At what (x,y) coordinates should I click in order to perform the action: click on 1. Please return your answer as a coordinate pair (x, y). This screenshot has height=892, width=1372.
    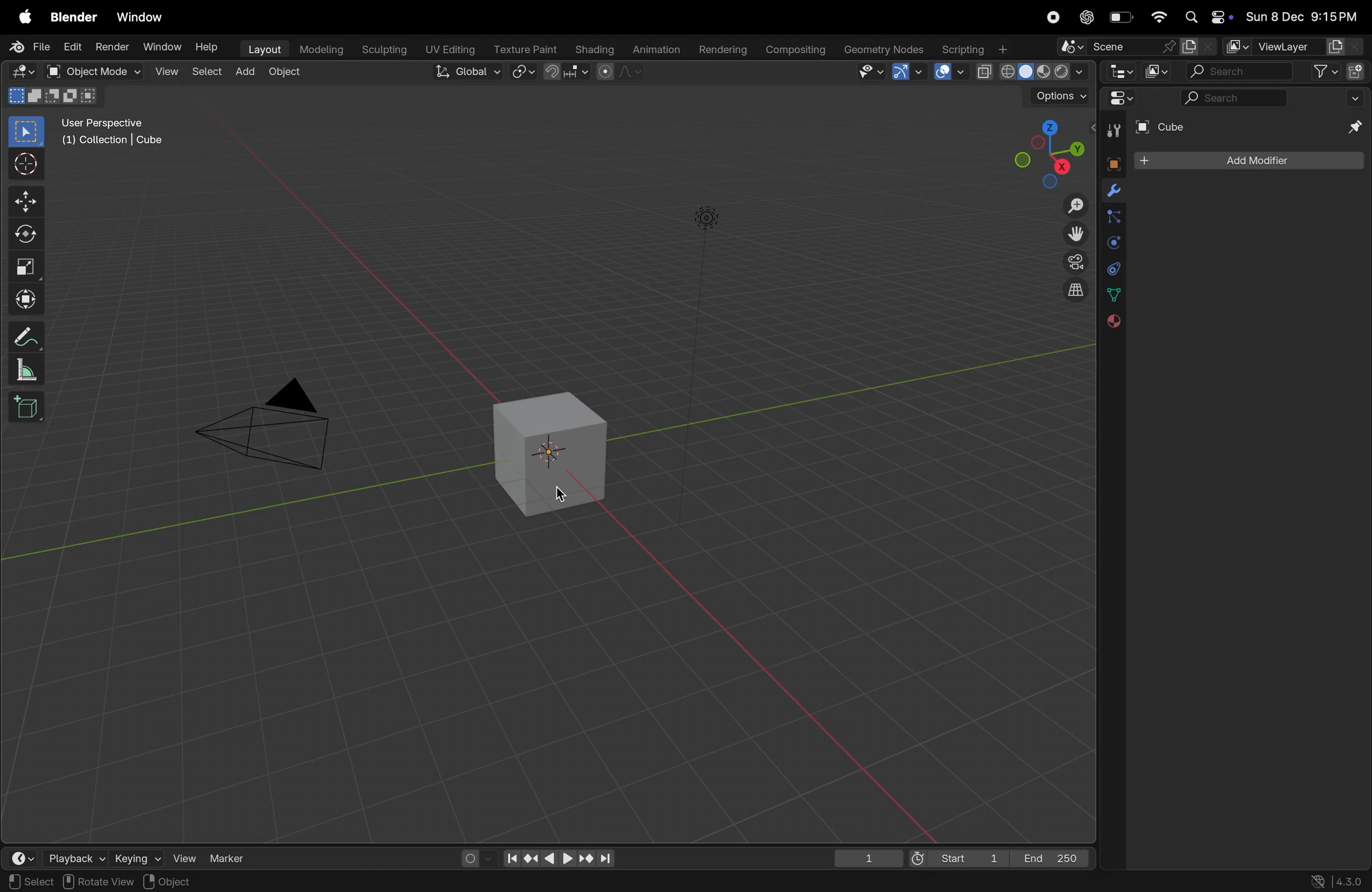
    Looking at the image, I should click on (869, 858).